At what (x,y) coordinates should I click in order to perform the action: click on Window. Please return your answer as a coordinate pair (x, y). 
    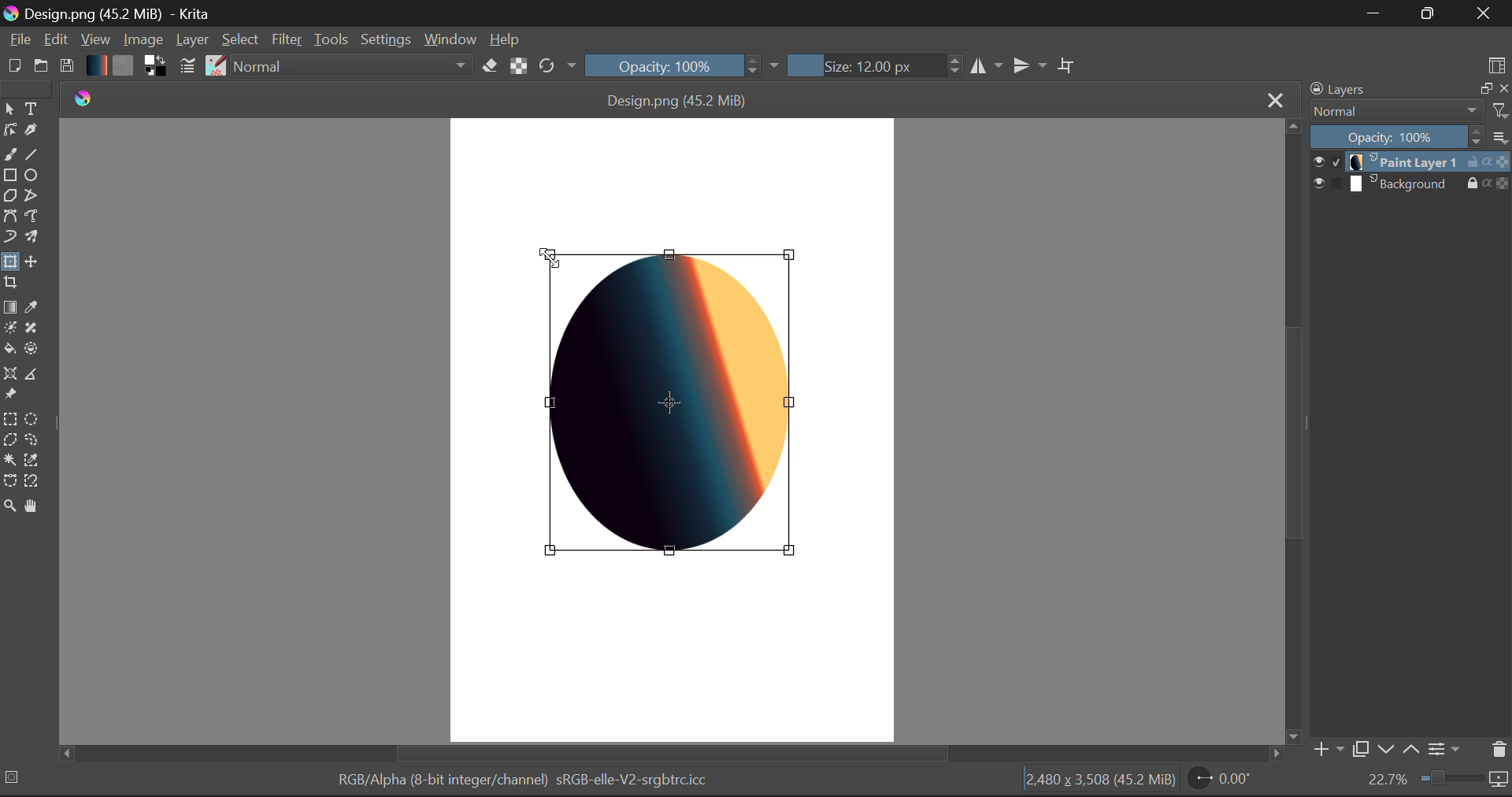
    Looking at the image, I should click on (450, 40).